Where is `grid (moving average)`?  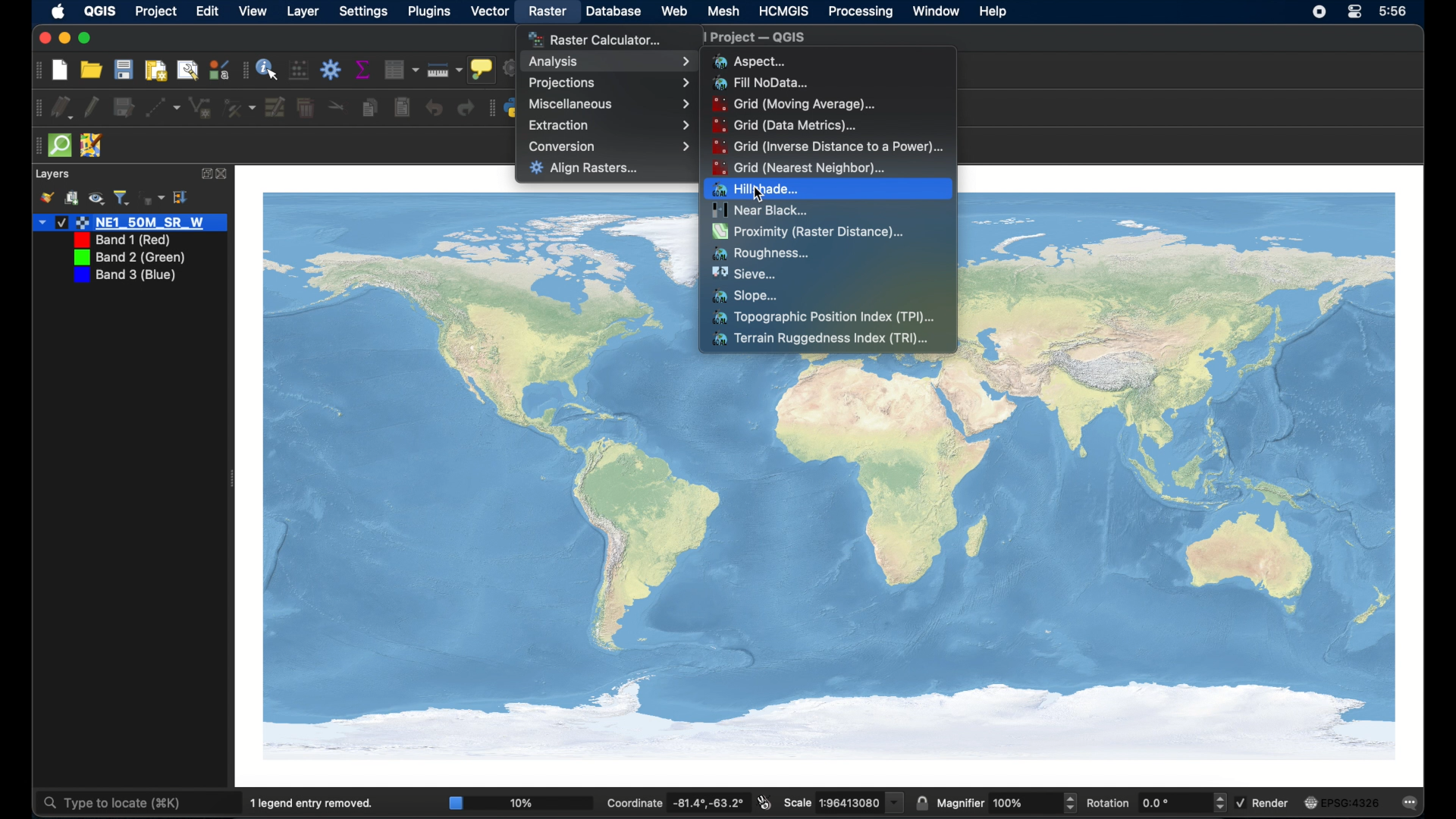
grid (moving average) is located at coordinates (800, 105).